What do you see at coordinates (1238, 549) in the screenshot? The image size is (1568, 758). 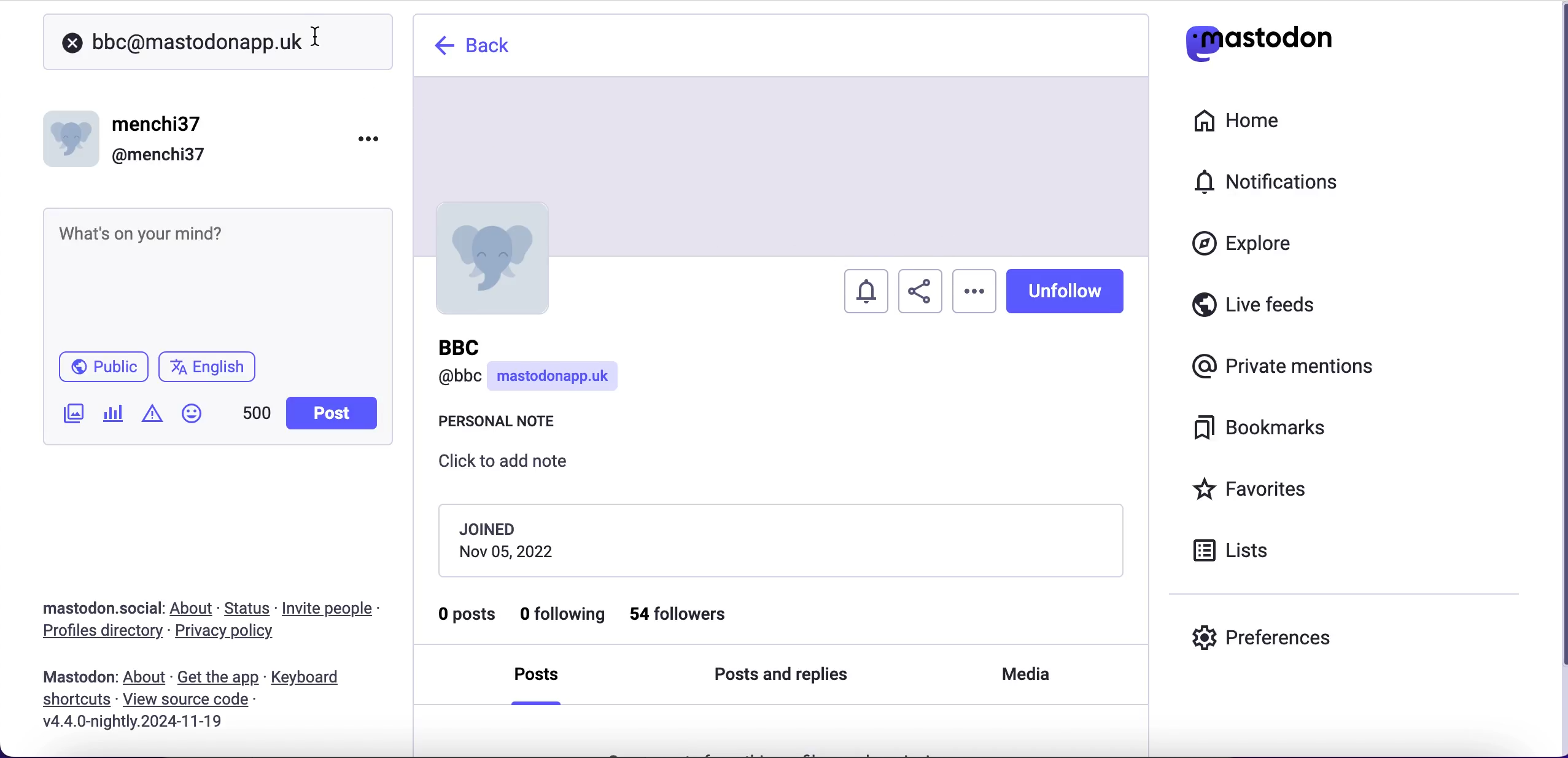 I see `lists` at bounding box center [1238, 549].